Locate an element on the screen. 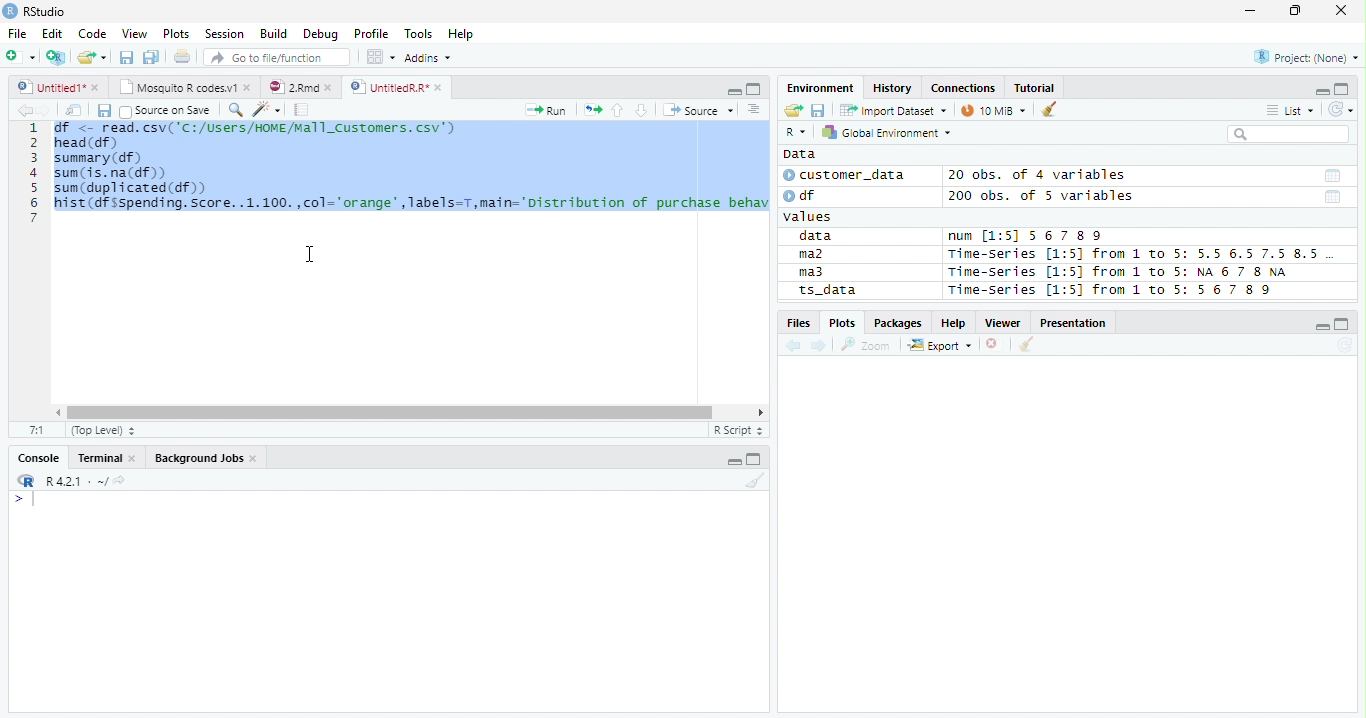 The width and height of the screenshot is (1366, 718). Maximize is located at coordinates (1344, 324).